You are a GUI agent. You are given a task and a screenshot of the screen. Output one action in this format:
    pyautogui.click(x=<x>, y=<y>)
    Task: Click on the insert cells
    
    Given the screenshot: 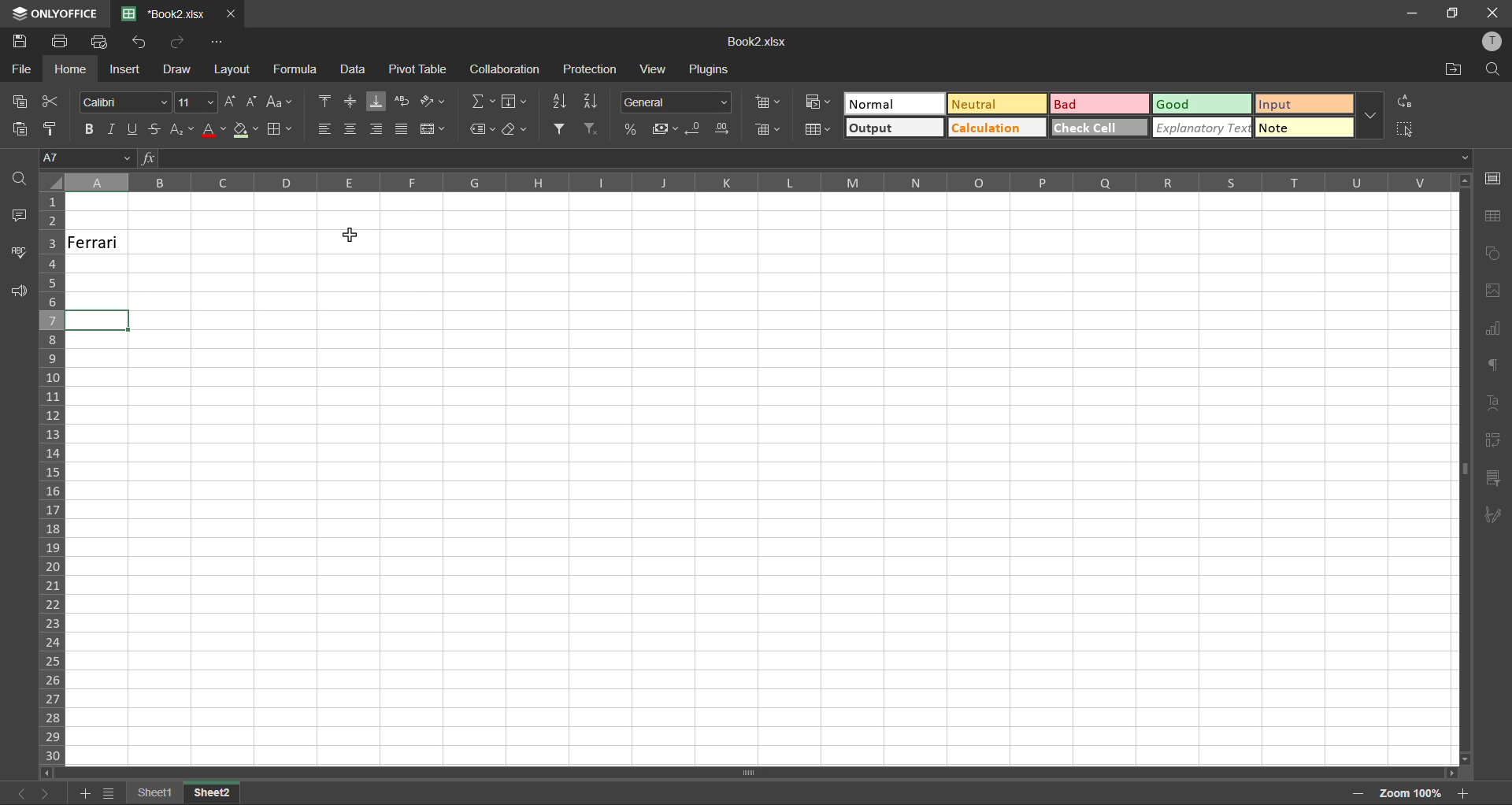 What is the action you would take?
    pyautogui.click(x=770, y=104)
    